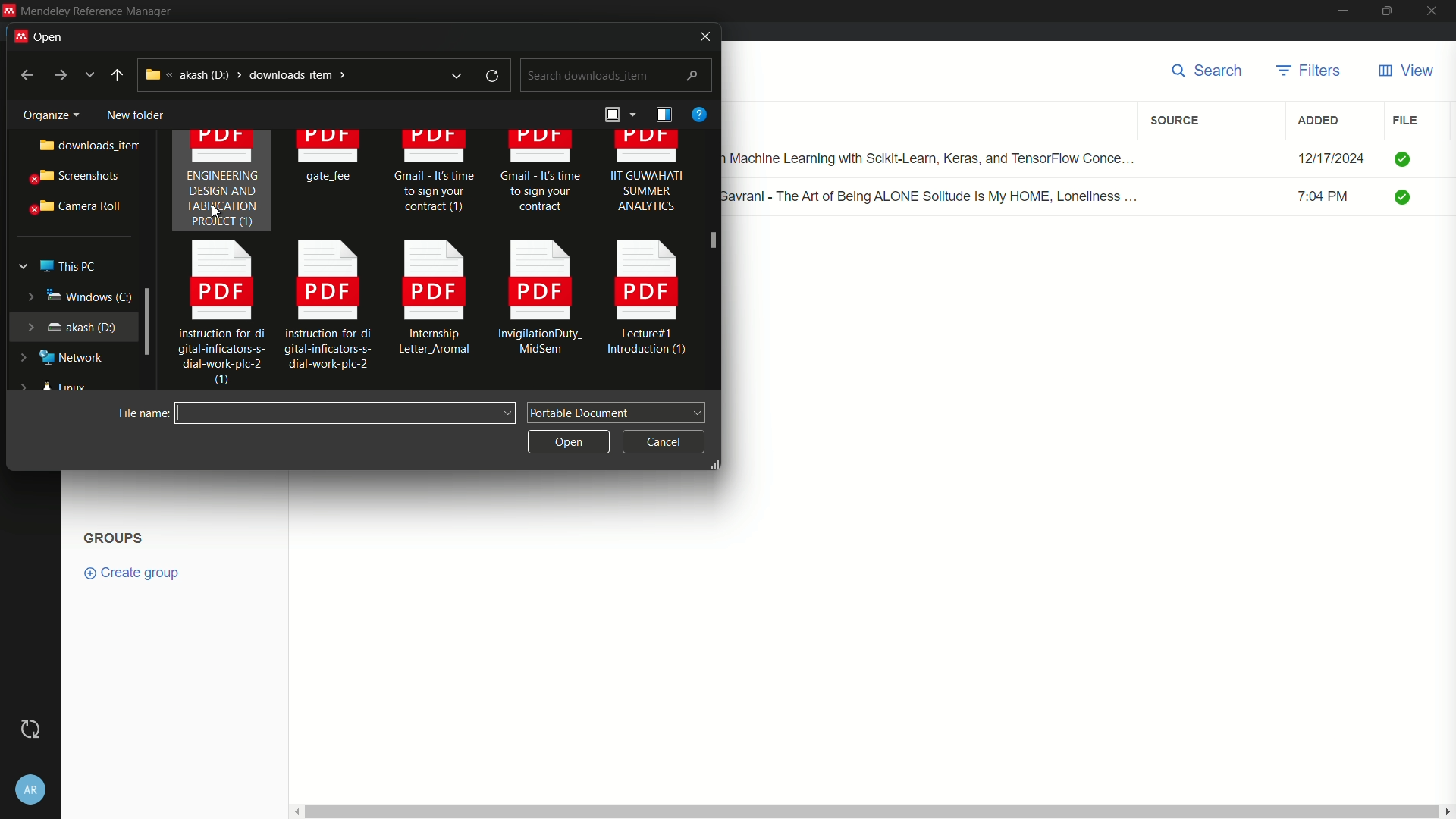  Describe the element at coordinates (72, 177) in the screenshot. I see `screenshots` at that location.